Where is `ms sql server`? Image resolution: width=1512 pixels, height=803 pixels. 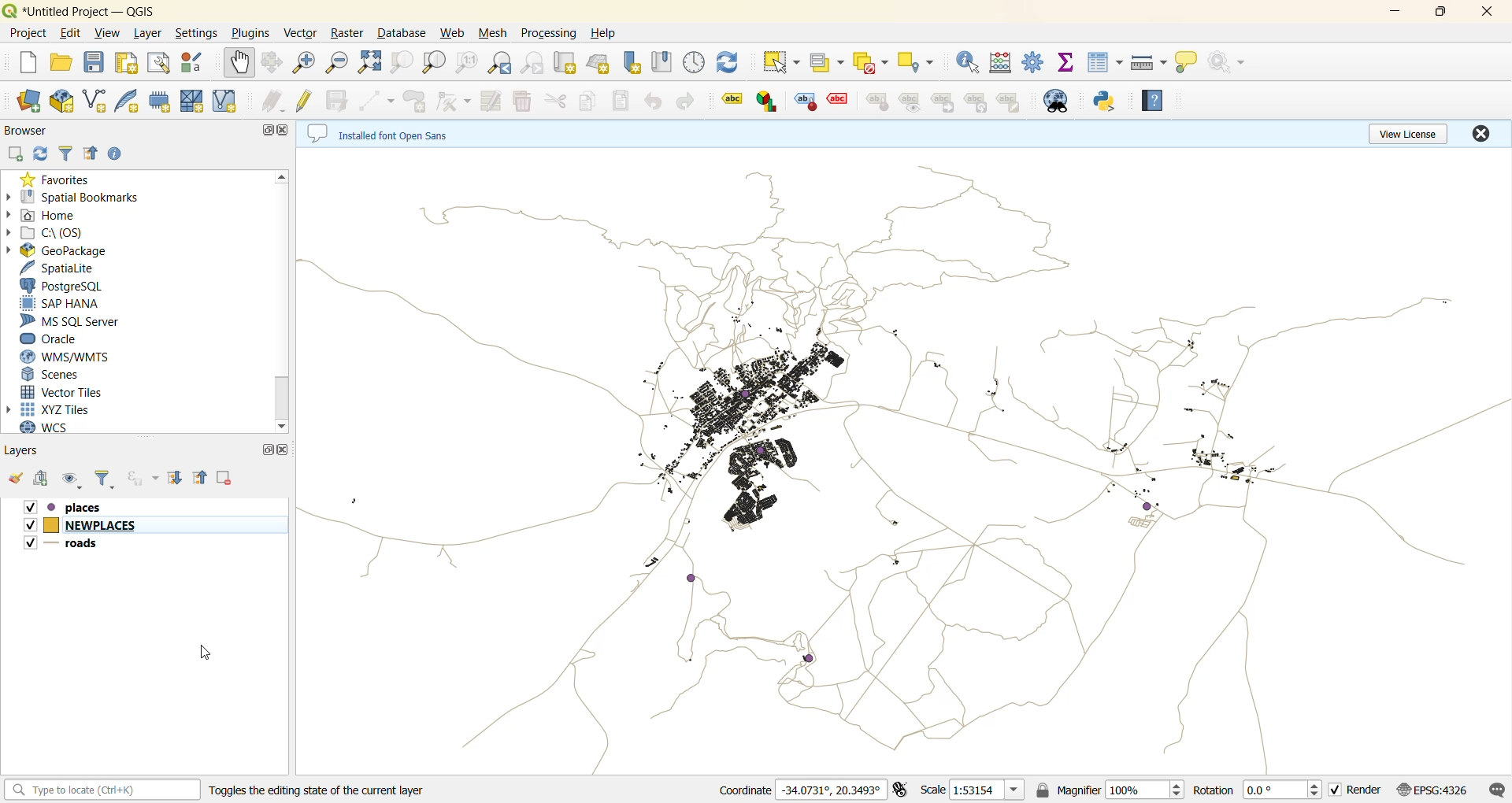 ms sql server is located at coordinates (72, 320).